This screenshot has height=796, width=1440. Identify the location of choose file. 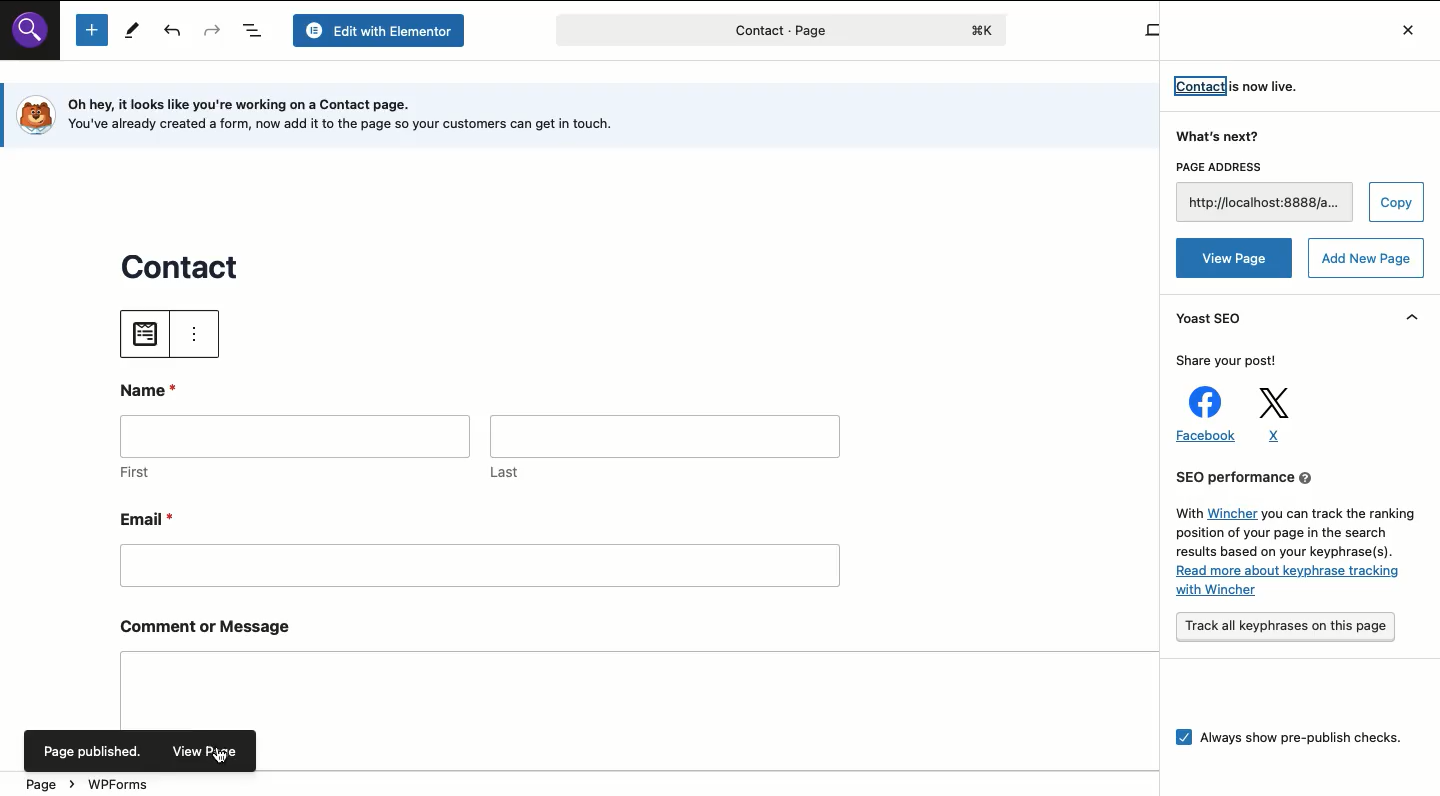
(147, 331).